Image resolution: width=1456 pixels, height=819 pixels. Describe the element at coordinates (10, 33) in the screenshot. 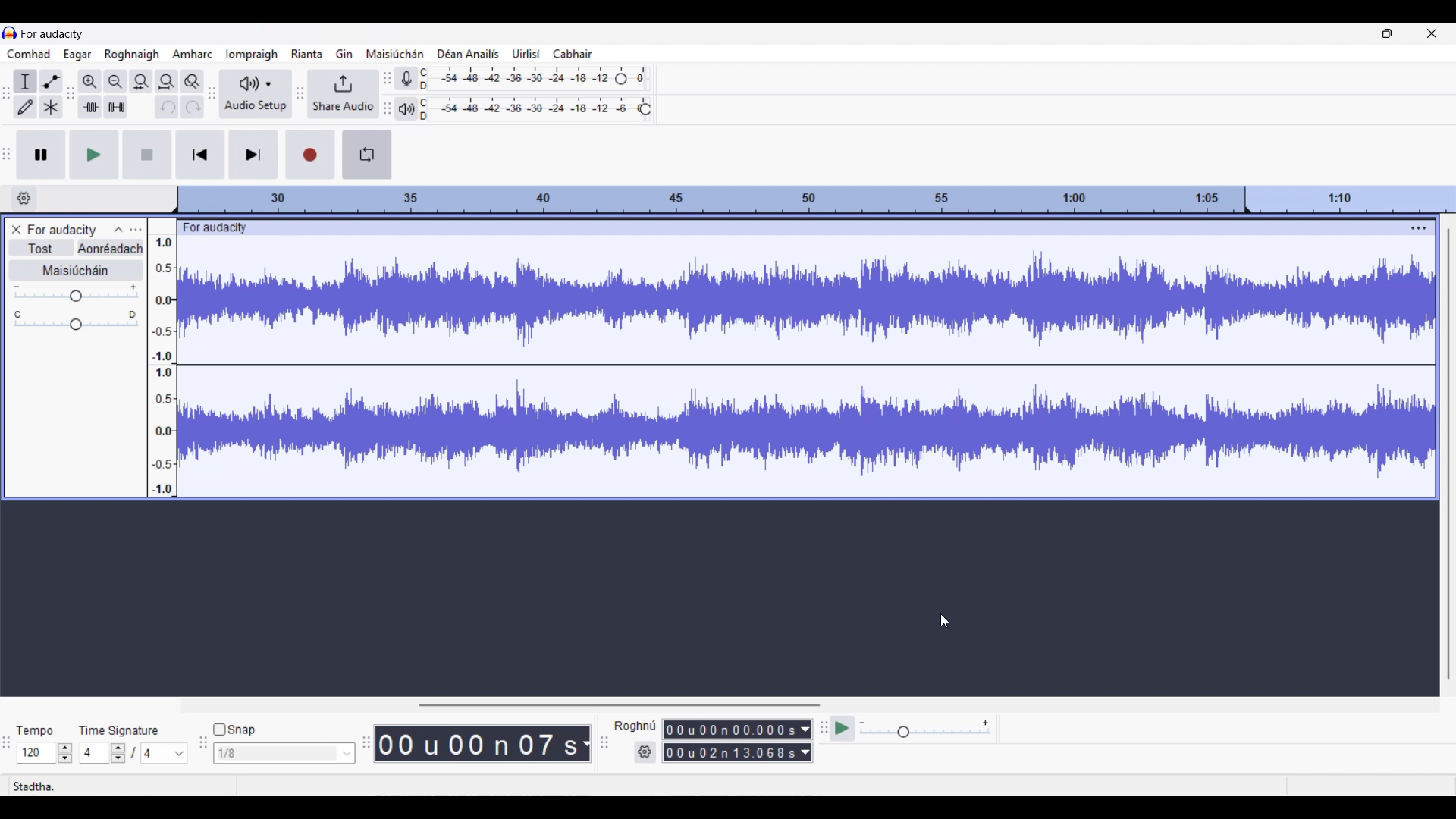

I see `Software logo` at that location.